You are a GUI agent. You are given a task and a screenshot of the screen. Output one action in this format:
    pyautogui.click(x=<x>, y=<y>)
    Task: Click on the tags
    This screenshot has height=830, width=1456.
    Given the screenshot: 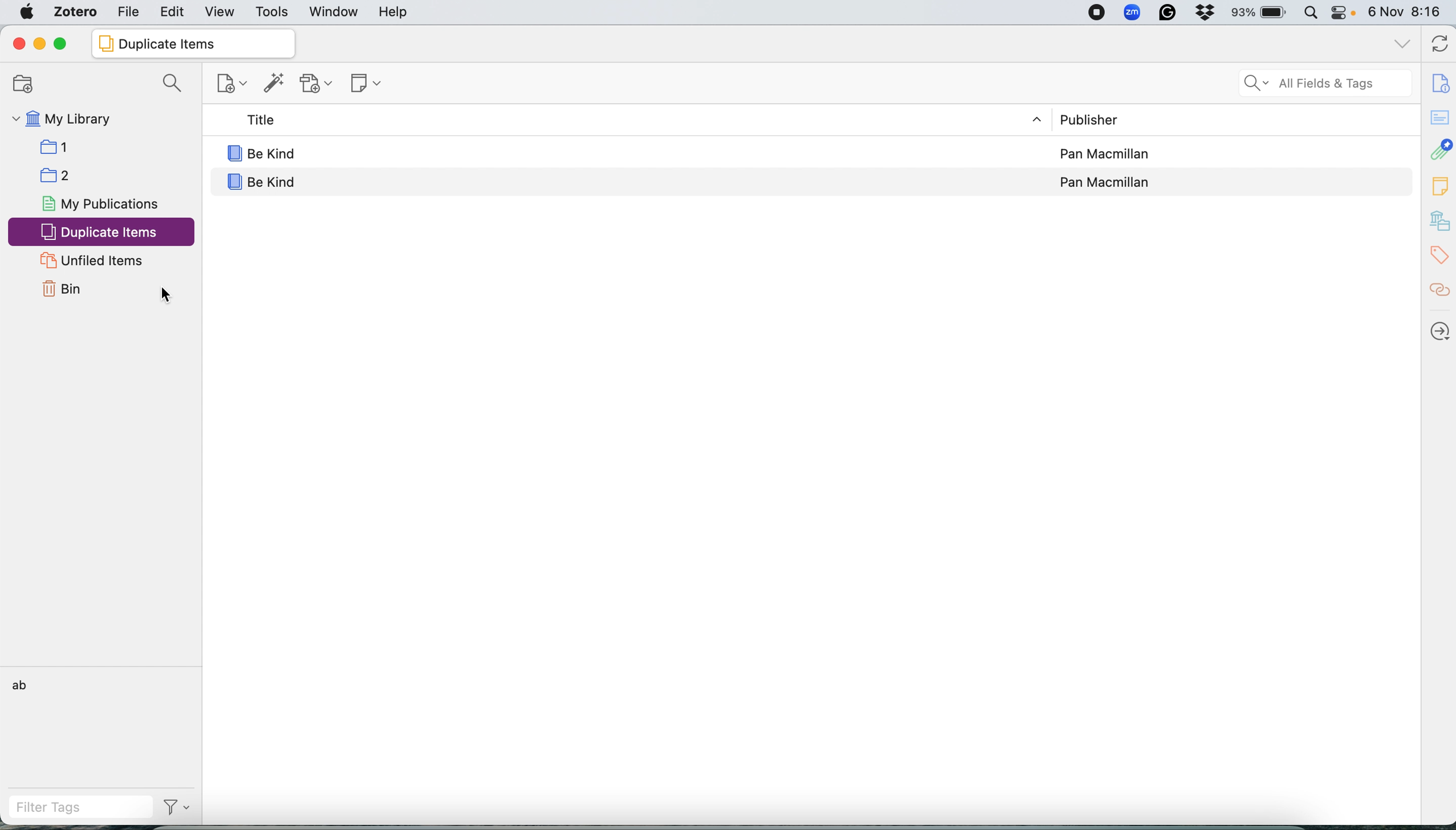 What is the action you would take?
    pyautogui.click(x=1439, y=257)
    